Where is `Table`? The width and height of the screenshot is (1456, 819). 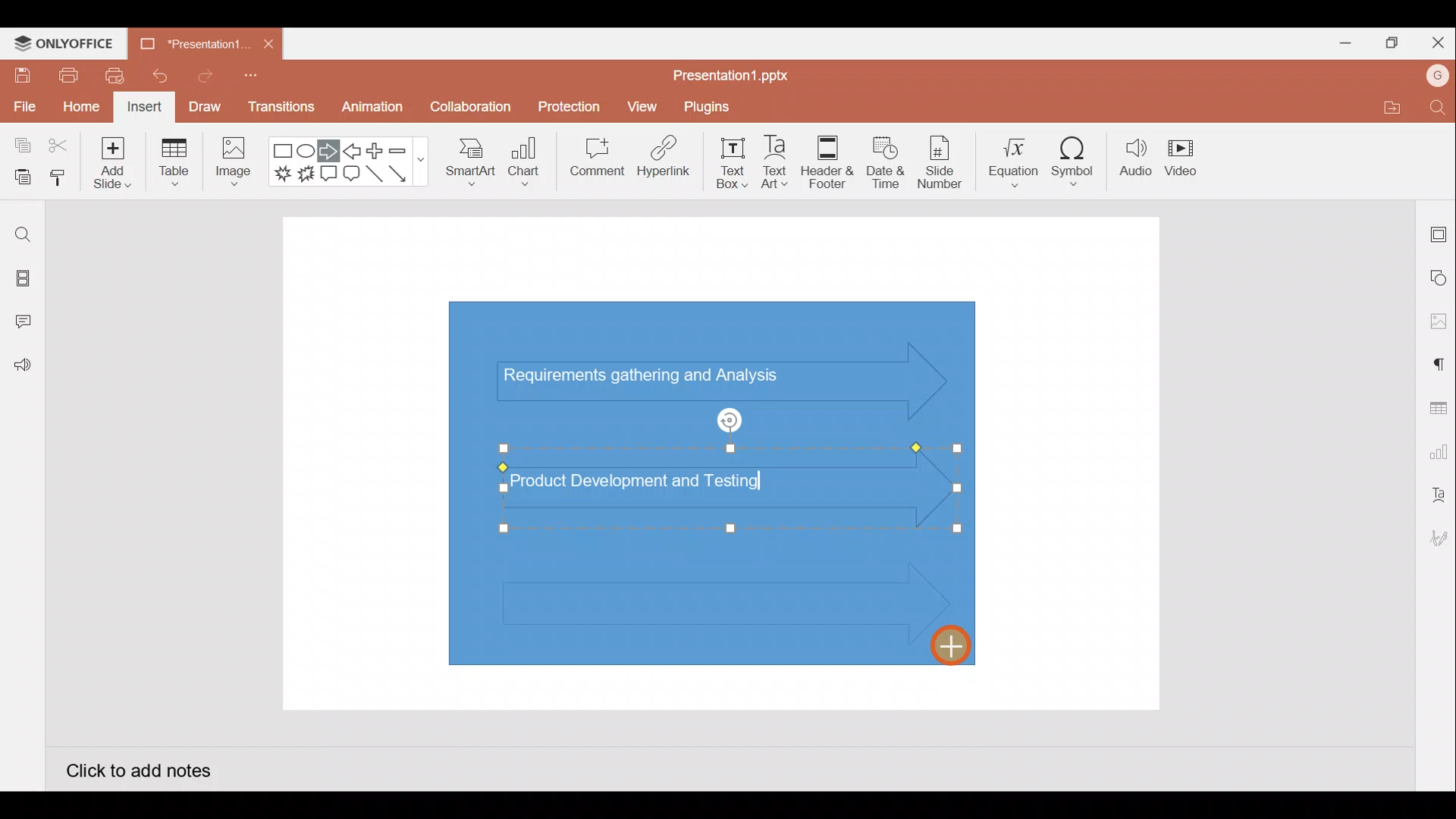
Table is located at coordinates (176, 164).